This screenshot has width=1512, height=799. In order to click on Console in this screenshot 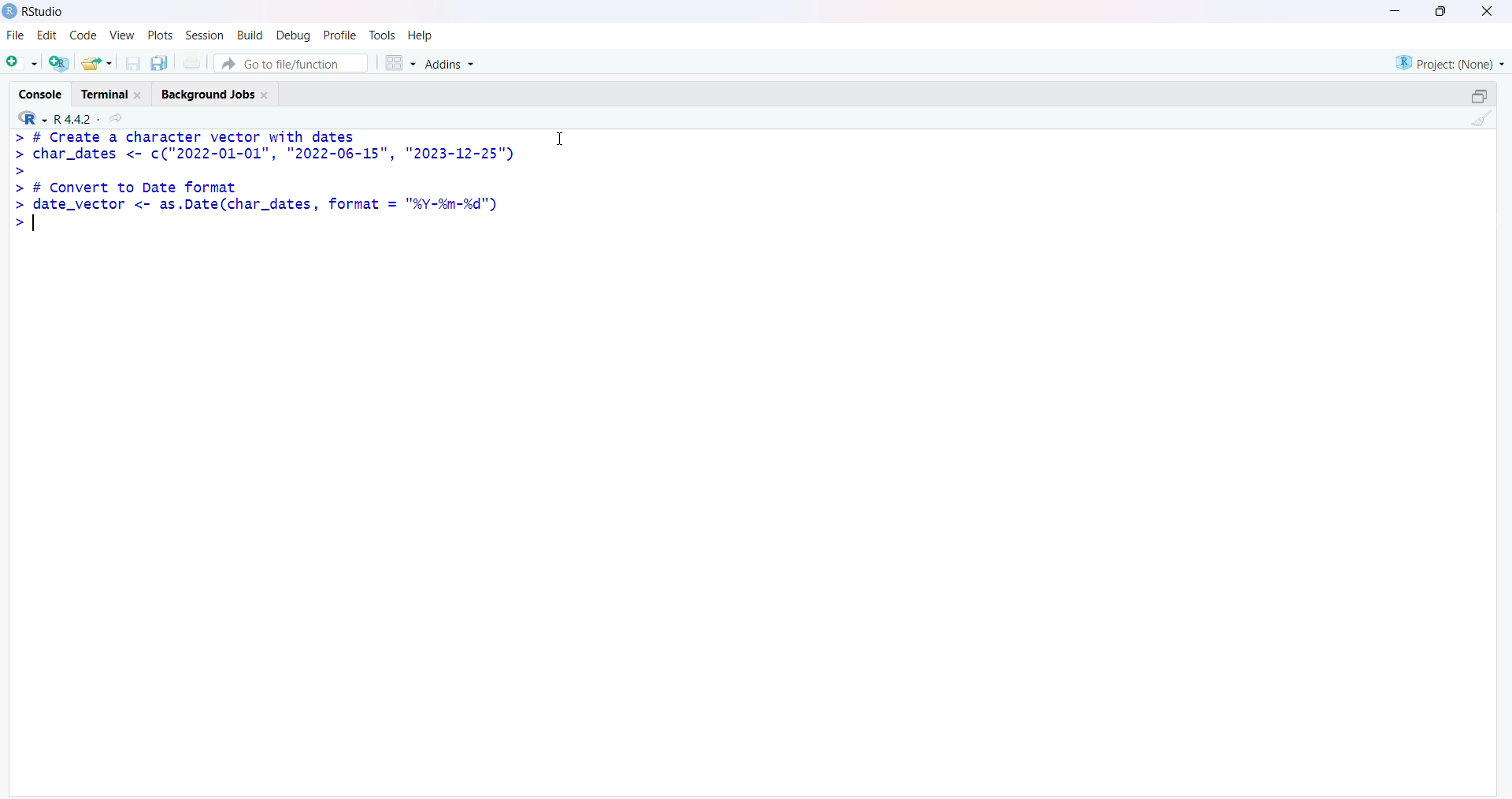, I will do `click(42, 91)`.